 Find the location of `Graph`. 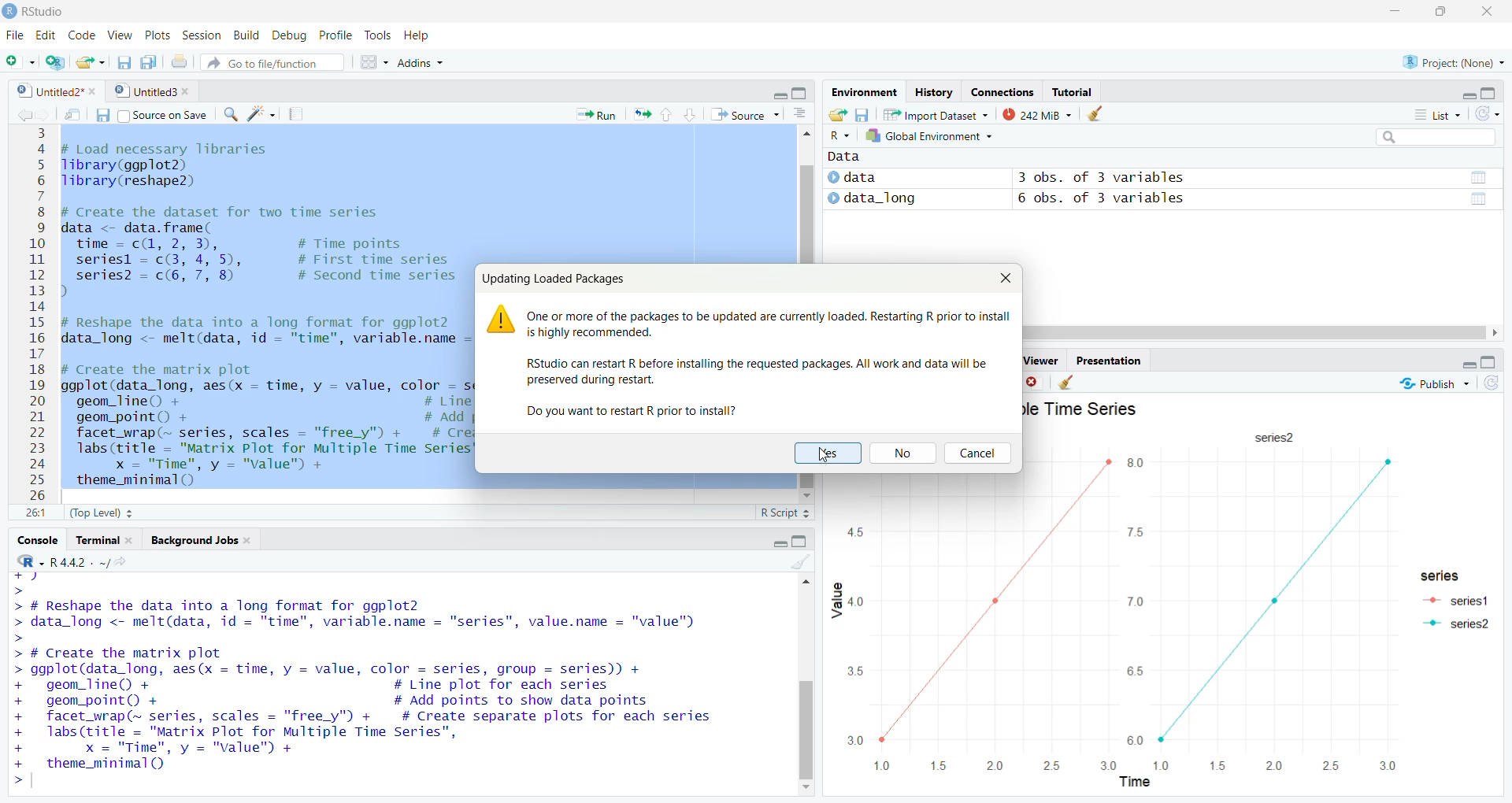

Graph is located at coordinates (1217, 464).